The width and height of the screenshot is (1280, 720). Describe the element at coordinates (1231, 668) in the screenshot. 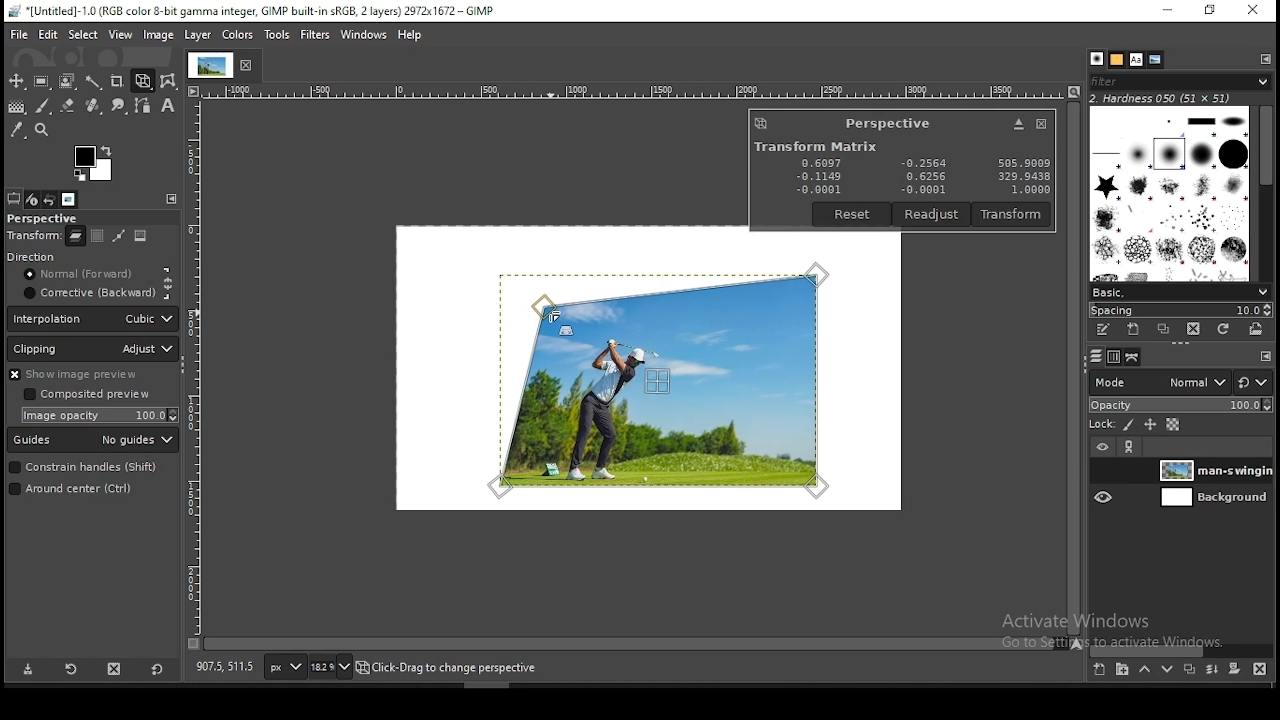

I see `add a mask` at that location.